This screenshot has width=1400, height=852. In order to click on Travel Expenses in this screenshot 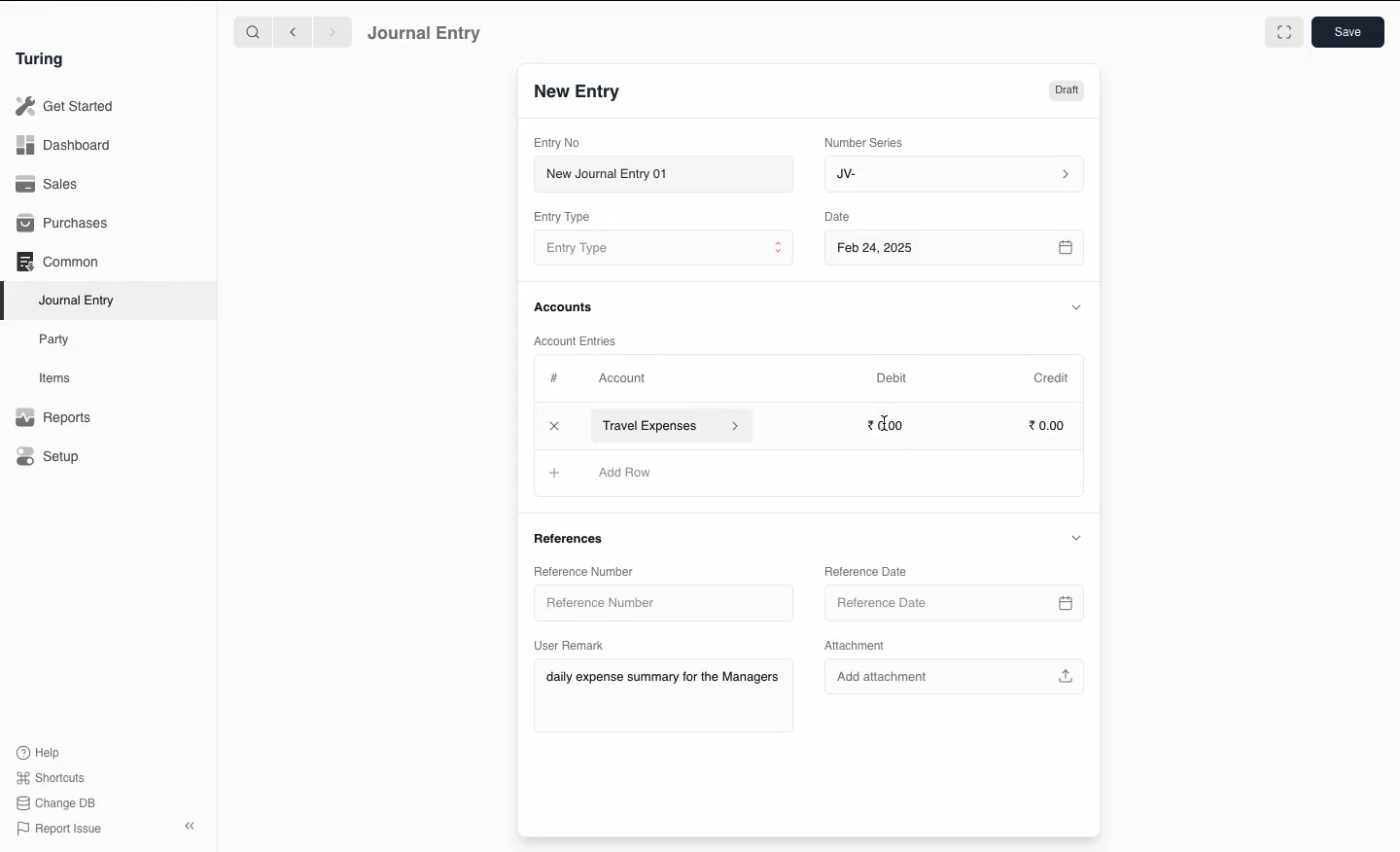, I will do `click(673, 427)`.